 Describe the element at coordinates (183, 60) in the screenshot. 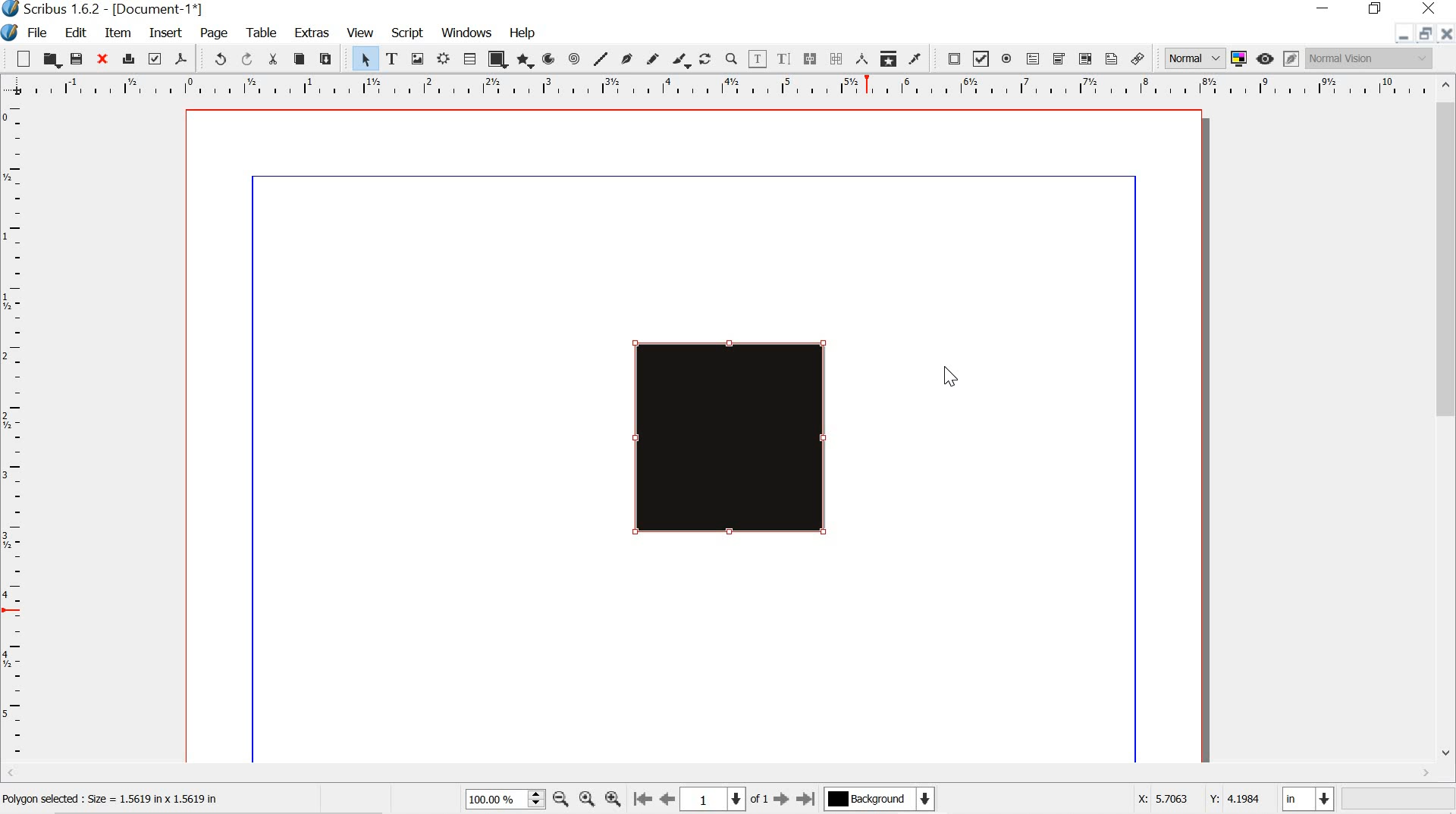

I see `save as pdf` at that location.